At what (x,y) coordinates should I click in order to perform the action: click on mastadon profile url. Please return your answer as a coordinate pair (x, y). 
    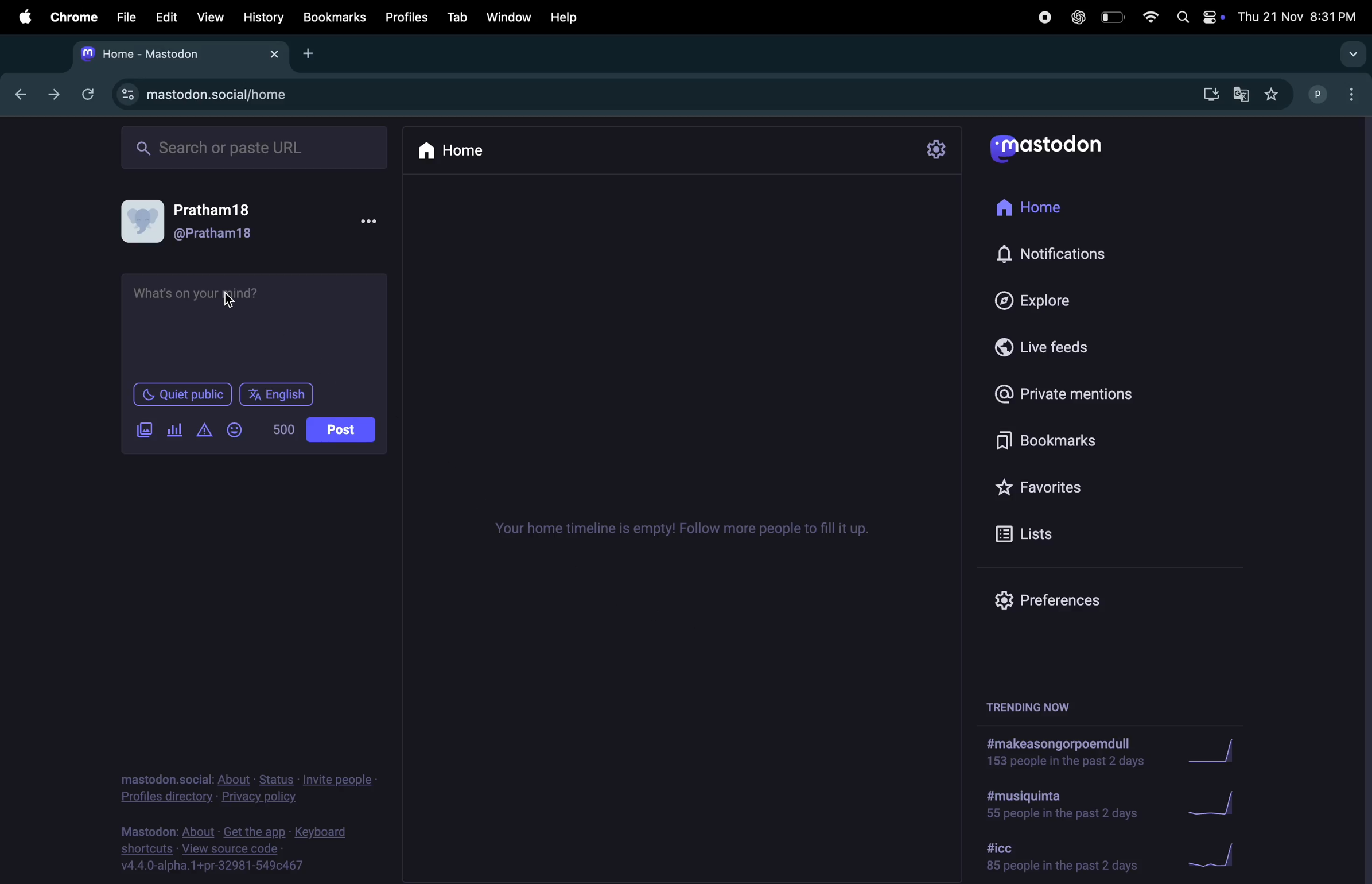
    Looking at the image, I should click on (213, 95).